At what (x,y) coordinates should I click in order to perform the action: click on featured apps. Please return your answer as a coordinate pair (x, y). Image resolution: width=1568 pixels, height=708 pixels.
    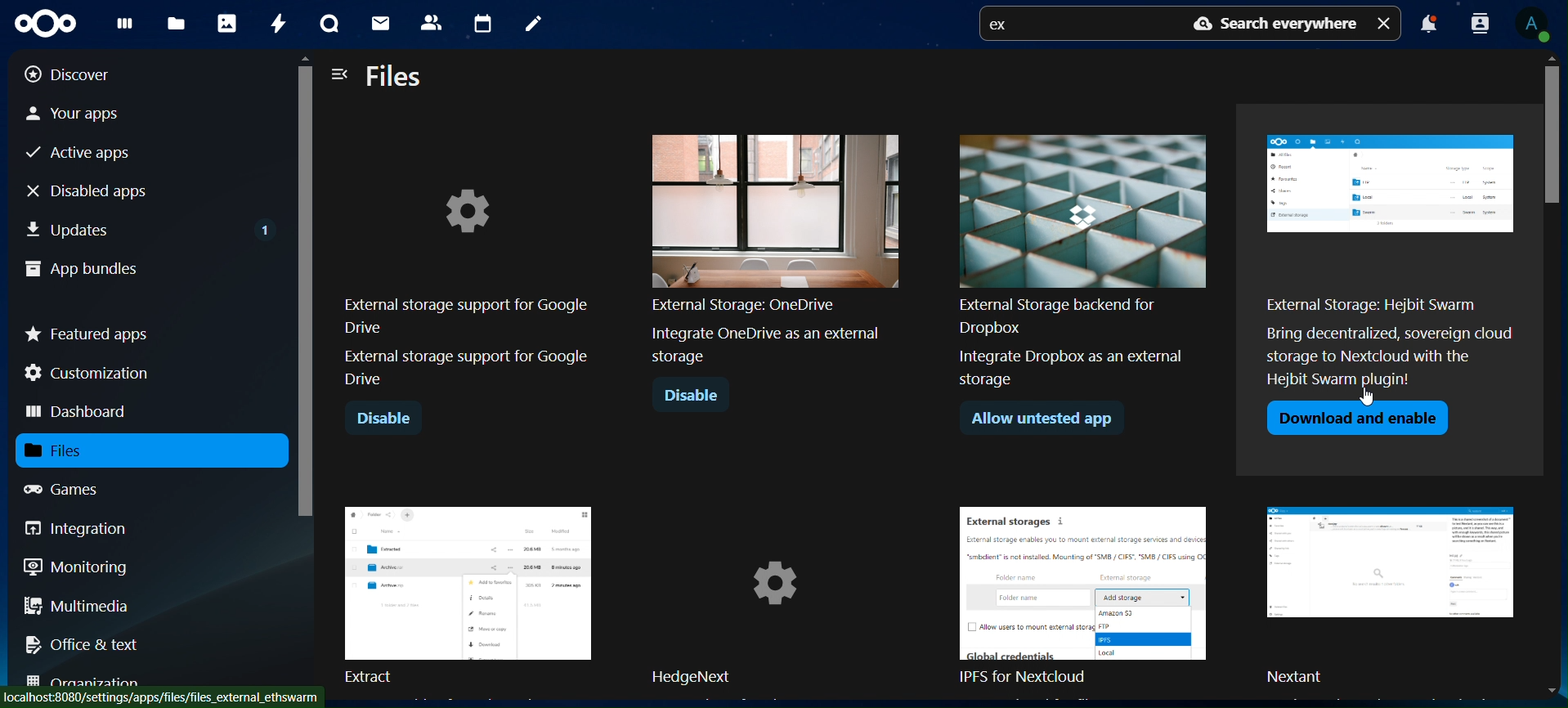
    Looking at the image, I should click on (88, 330).